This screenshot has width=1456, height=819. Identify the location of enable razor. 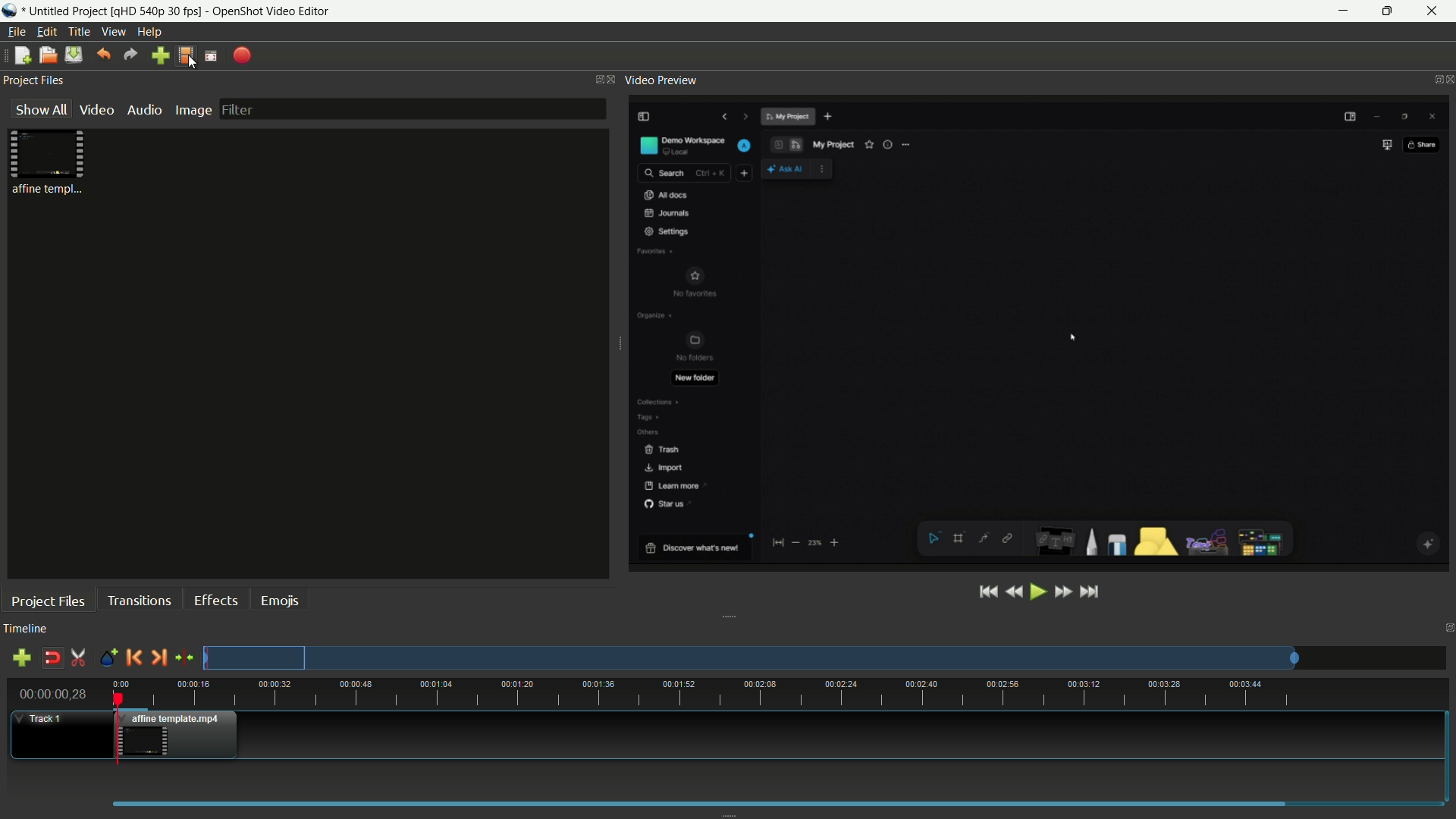
(79, 657).